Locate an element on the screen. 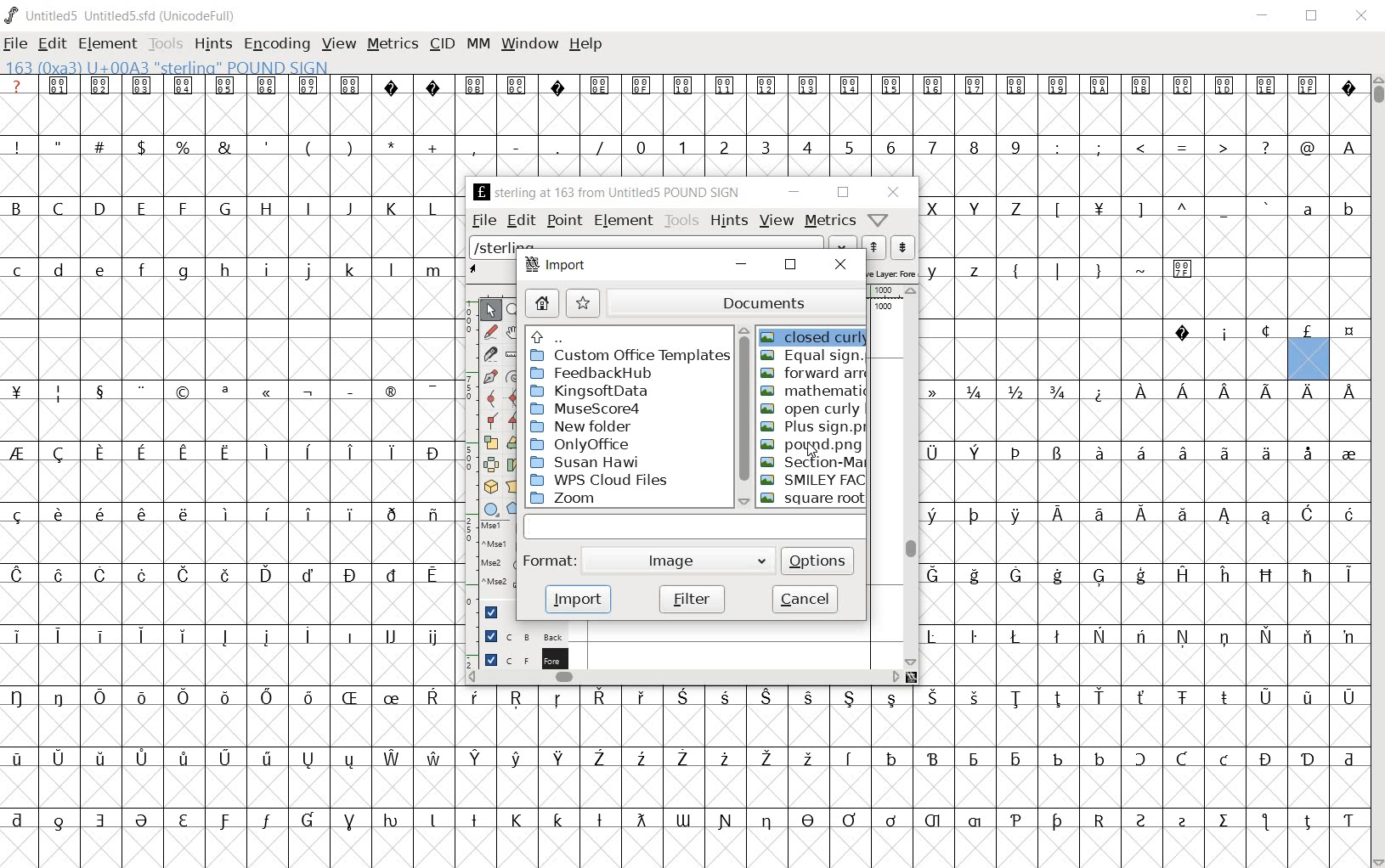 The width and height of the screenshot is (1385, 868). Symbol is located at coordinates (140, 696).